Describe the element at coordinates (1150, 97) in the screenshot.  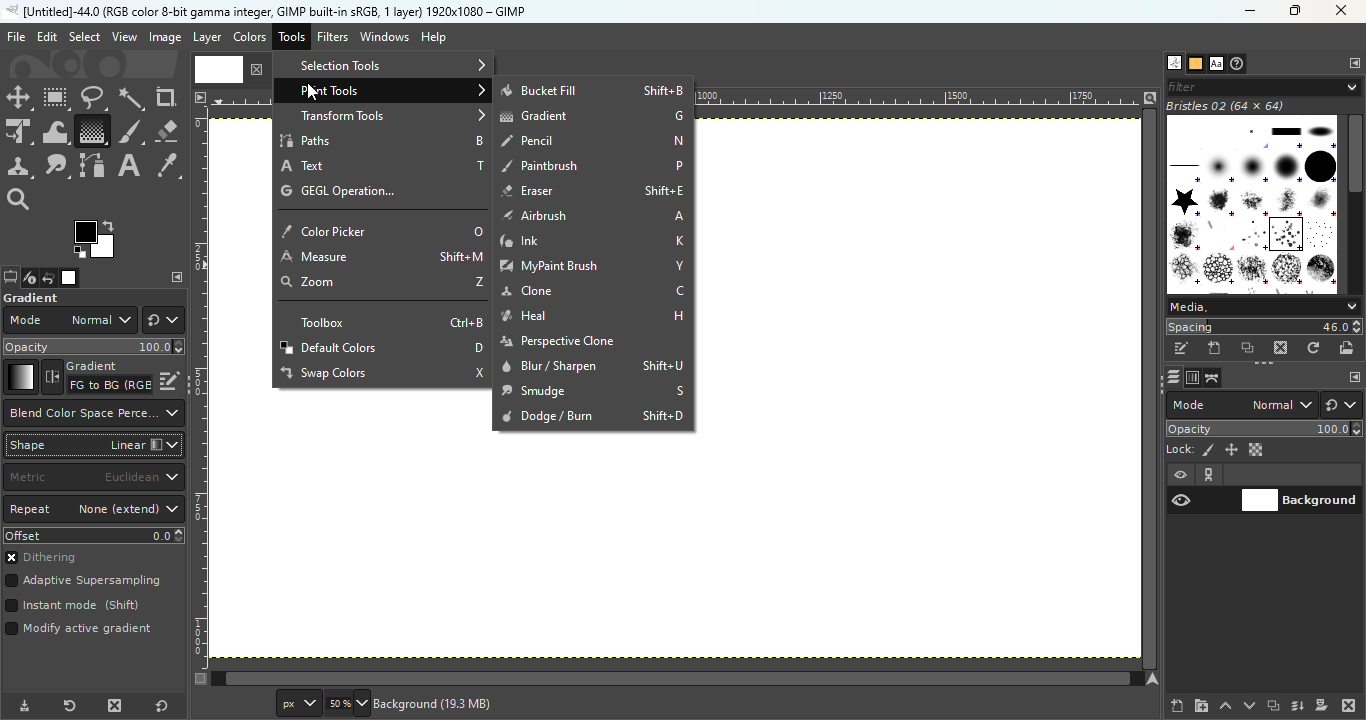
I see `Zoom image when window size changes` at that location.